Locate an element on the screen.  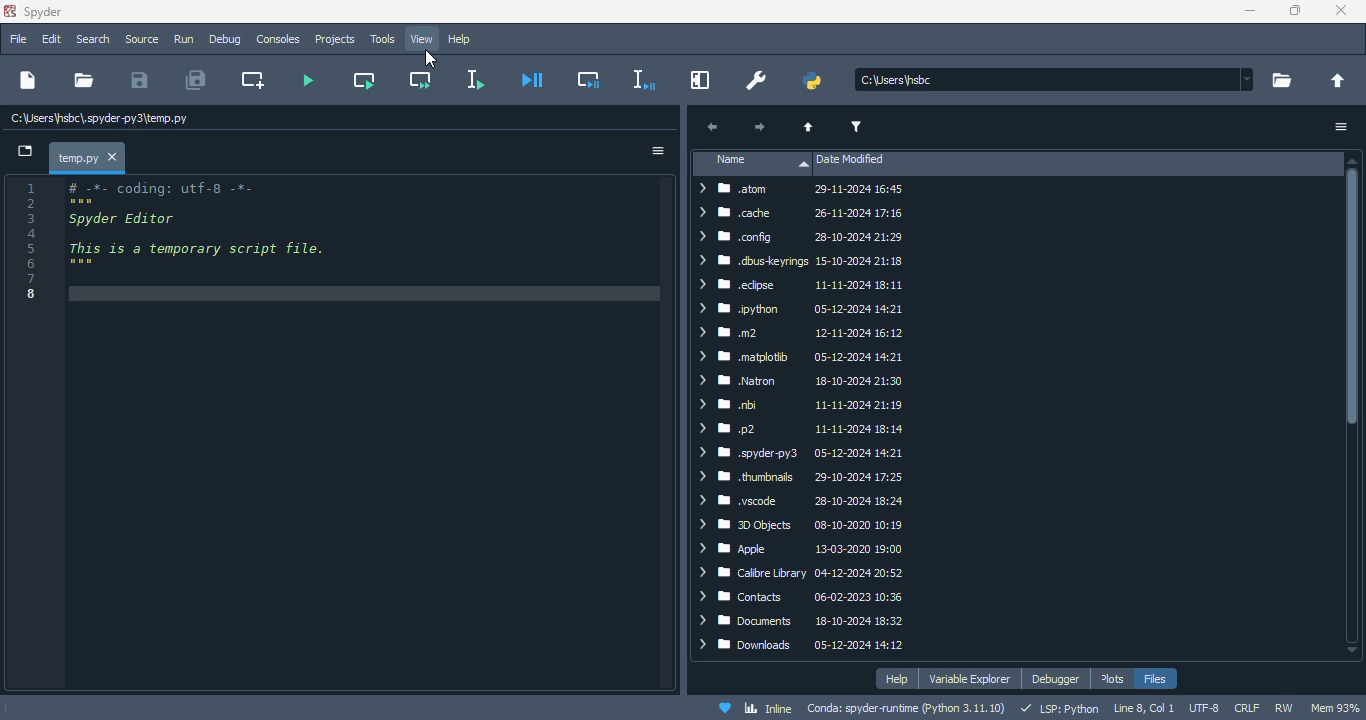
temporary file is located at coordinates (77, 156).